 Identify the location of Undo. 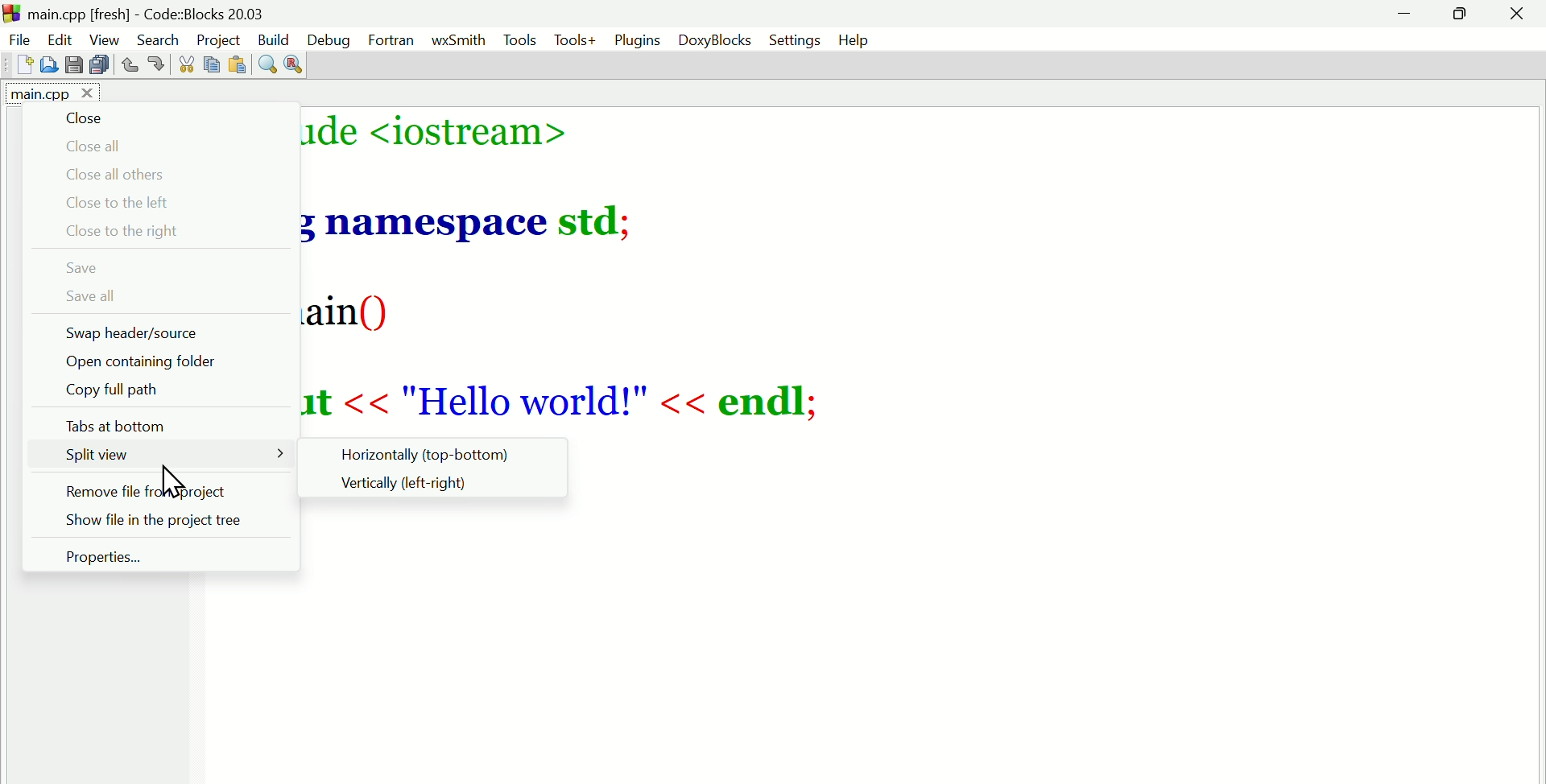
(130, 66).